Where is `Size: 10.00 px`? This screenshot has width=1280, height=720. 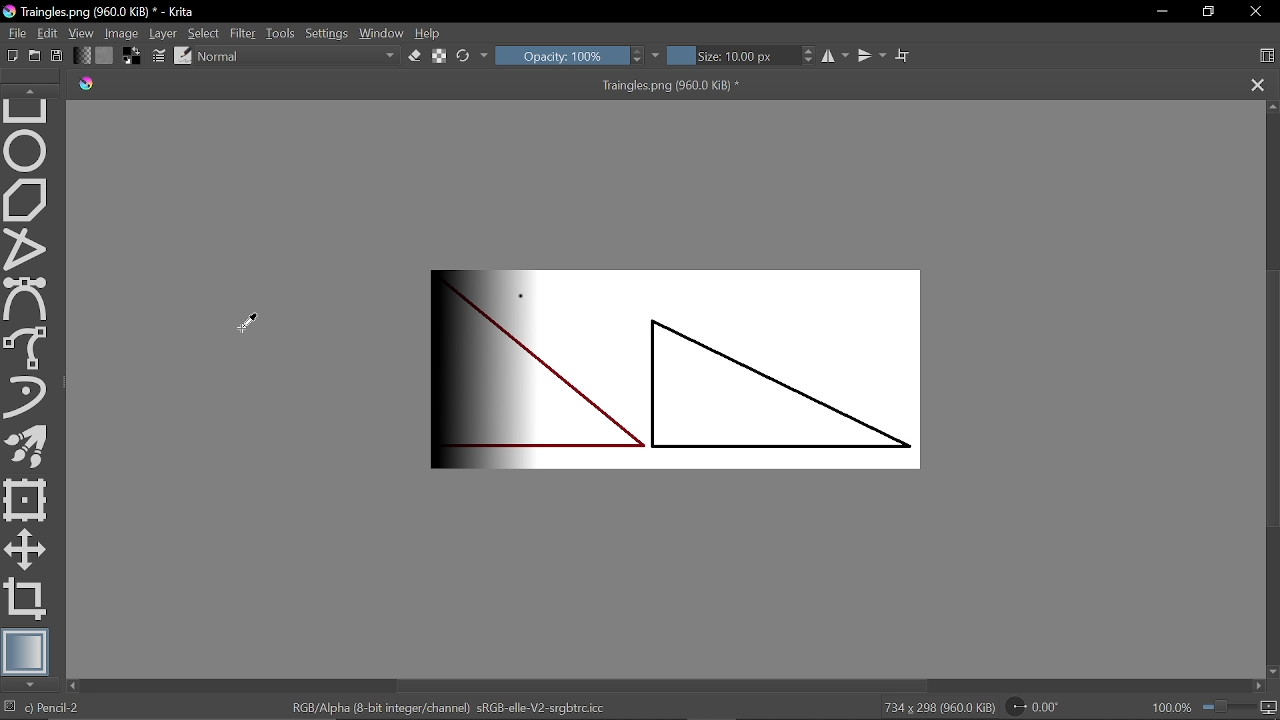
Size: 10.00 px is located at coordinates (731, 57).